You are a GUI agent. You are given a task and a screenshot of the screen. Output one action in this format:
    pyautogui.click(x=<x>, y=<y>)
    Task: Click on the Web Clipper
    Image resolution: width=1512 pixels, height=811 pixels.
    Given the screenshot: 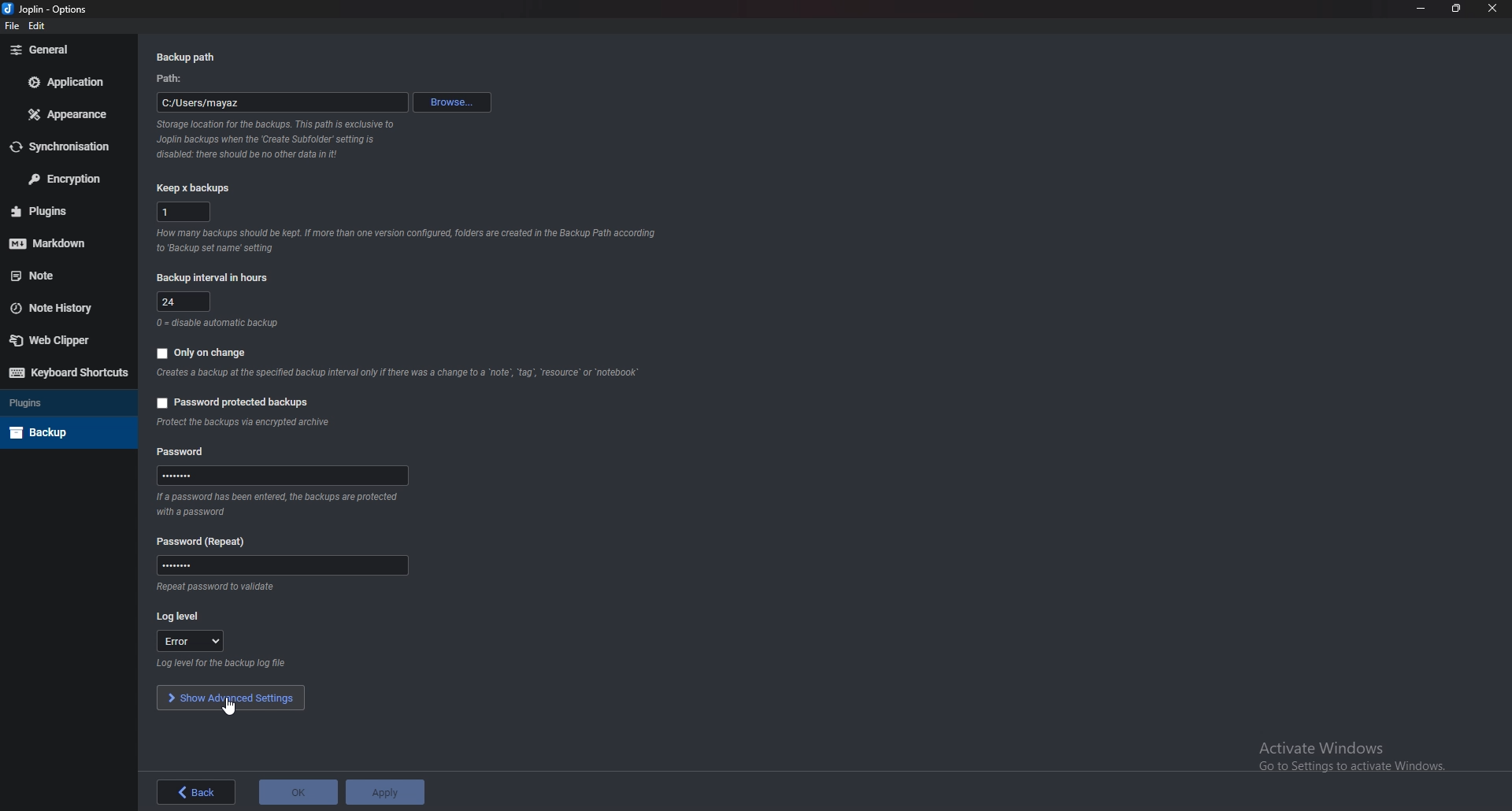 What is the action you would take?
    pyautogui.click(x=61, y=339)
    